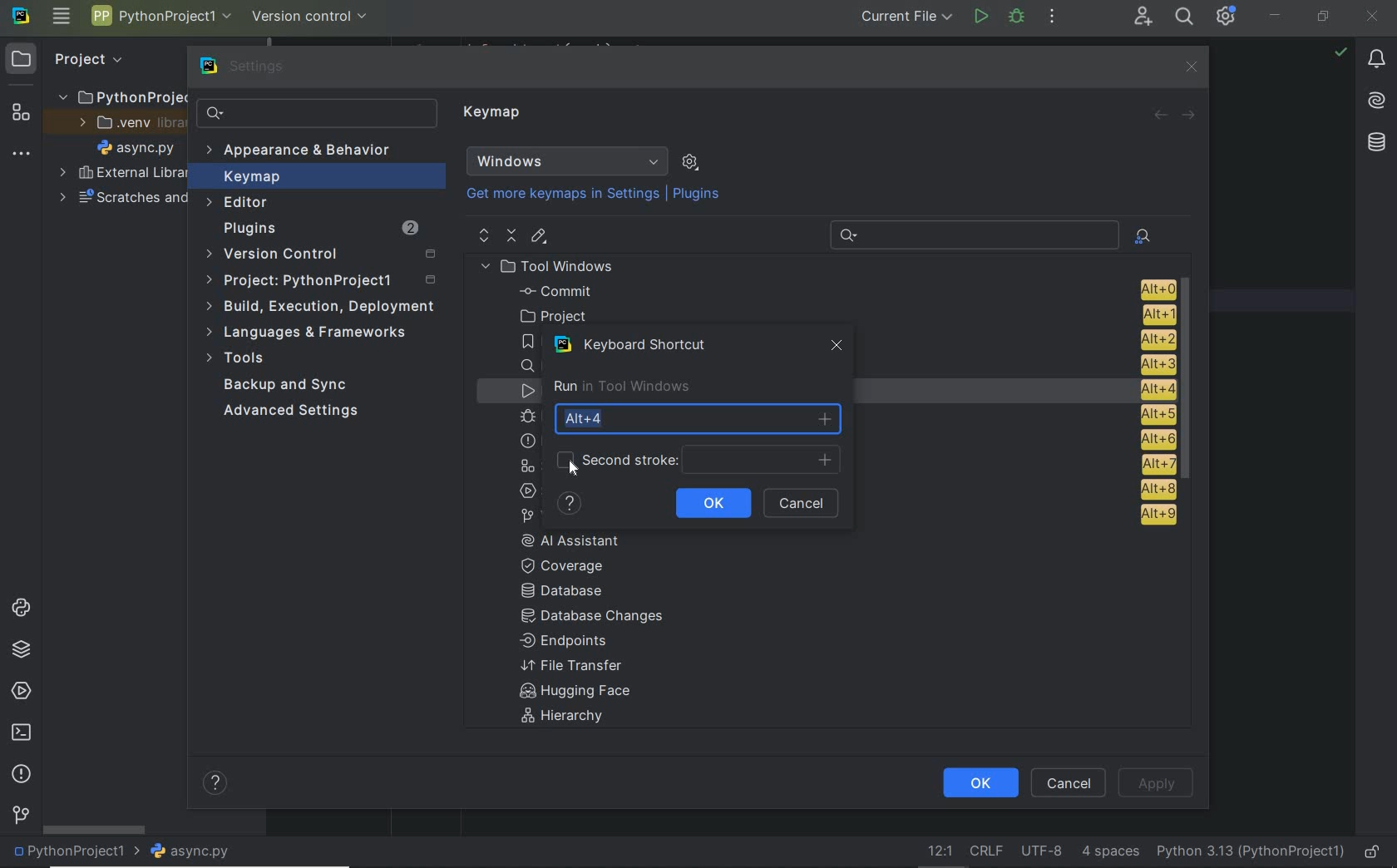 The image size is (1397, 868). Describe the element at coordinates (1153, 363) in the screenshot. I see `alt +3` at that location.